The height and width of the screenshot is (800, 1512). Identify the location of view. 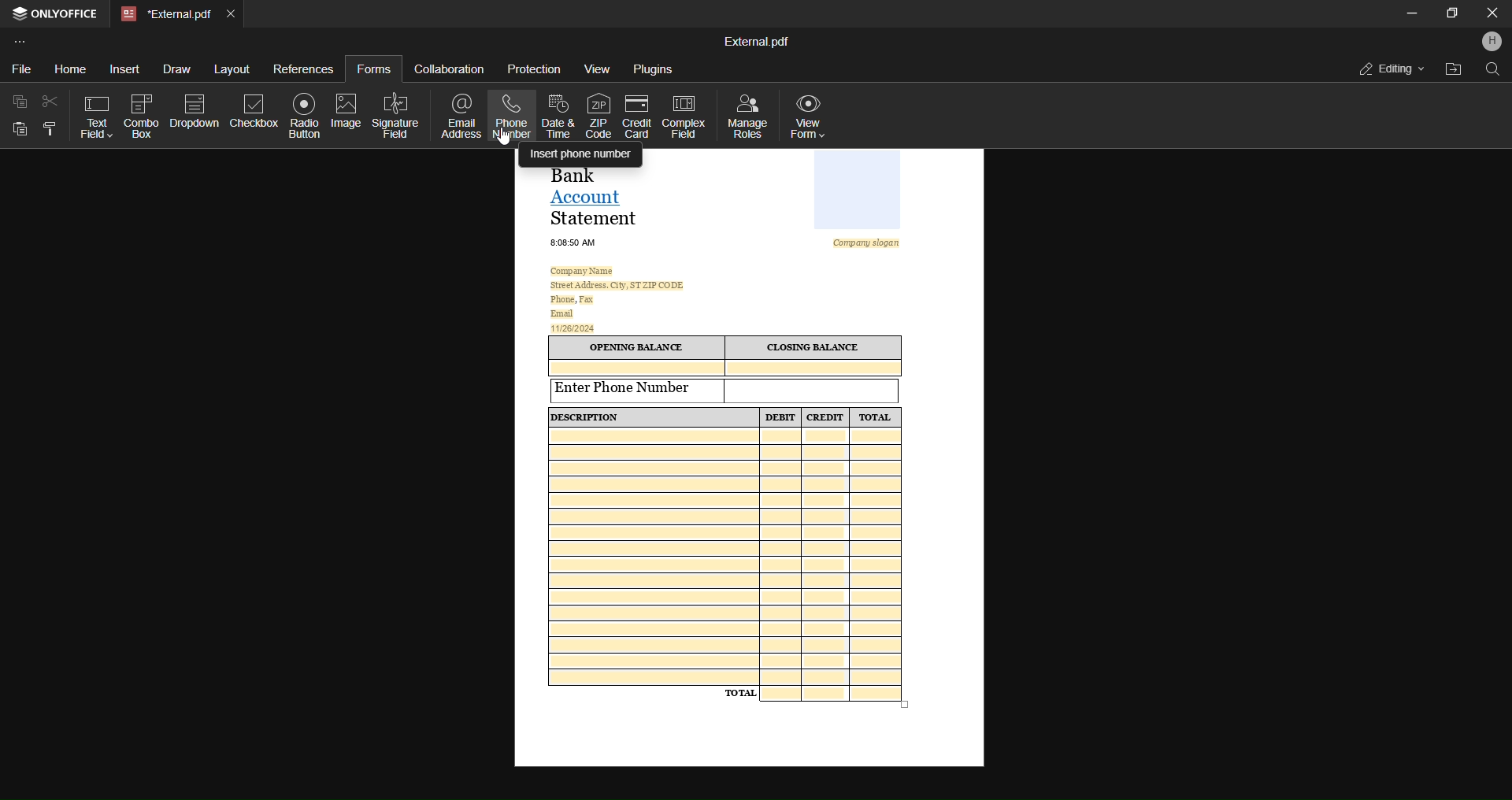
(596, 71).